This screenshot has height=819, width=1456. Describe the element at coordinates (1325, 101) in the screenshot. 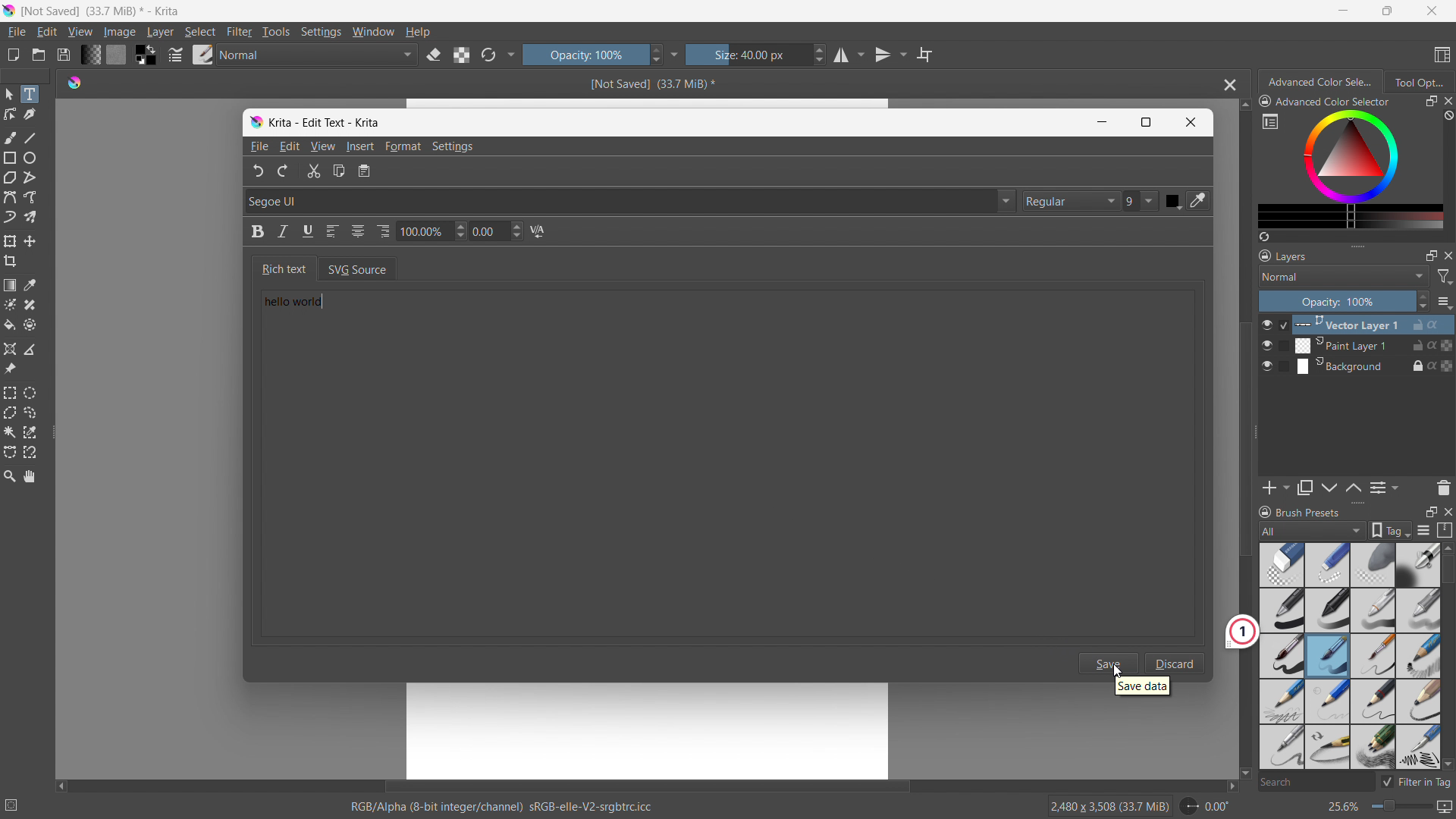

I see `advanced color selector` at that location.